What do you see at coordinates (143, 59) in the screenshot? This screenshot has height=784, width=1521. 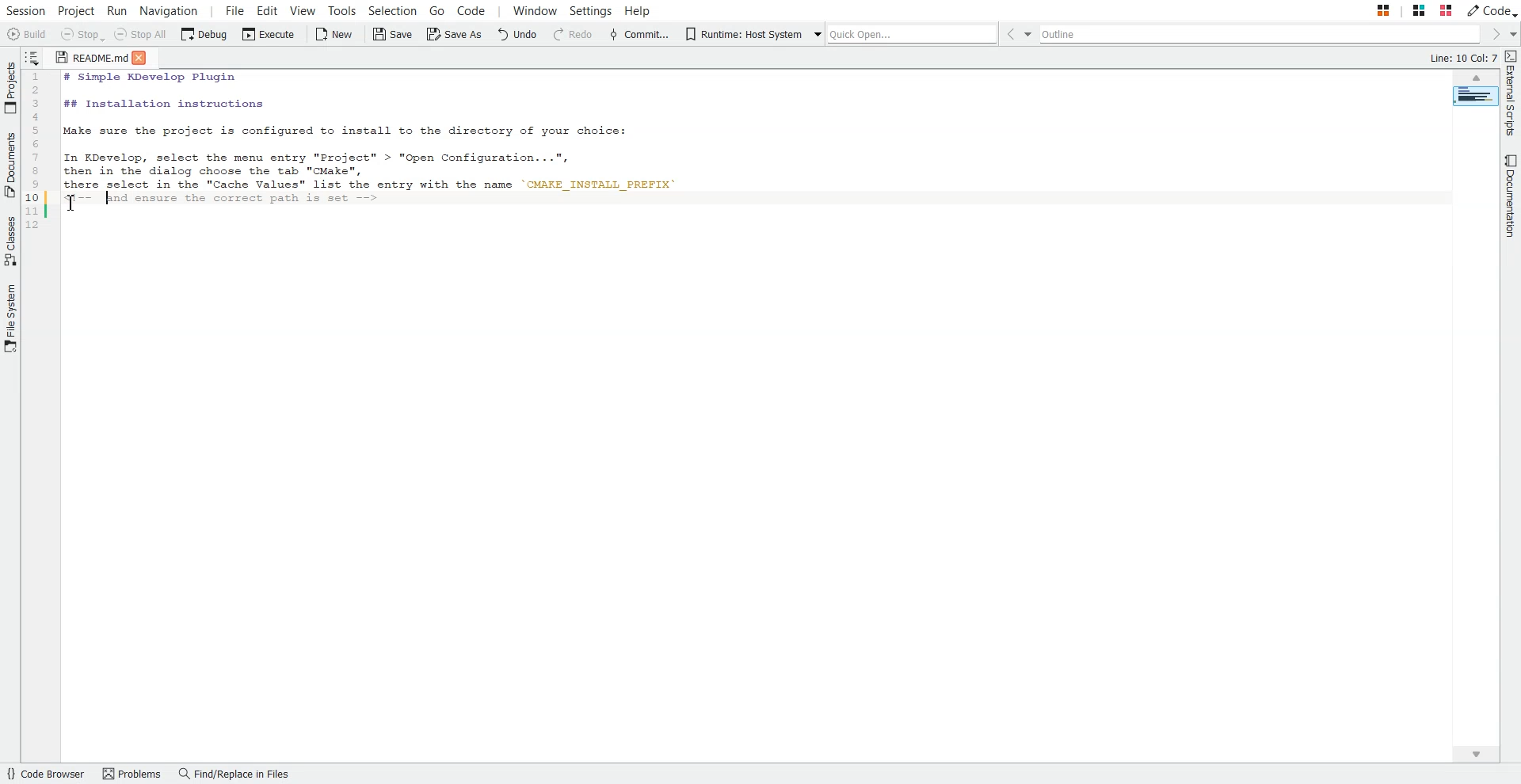 I see `Close` at bounding box center [143, 59].